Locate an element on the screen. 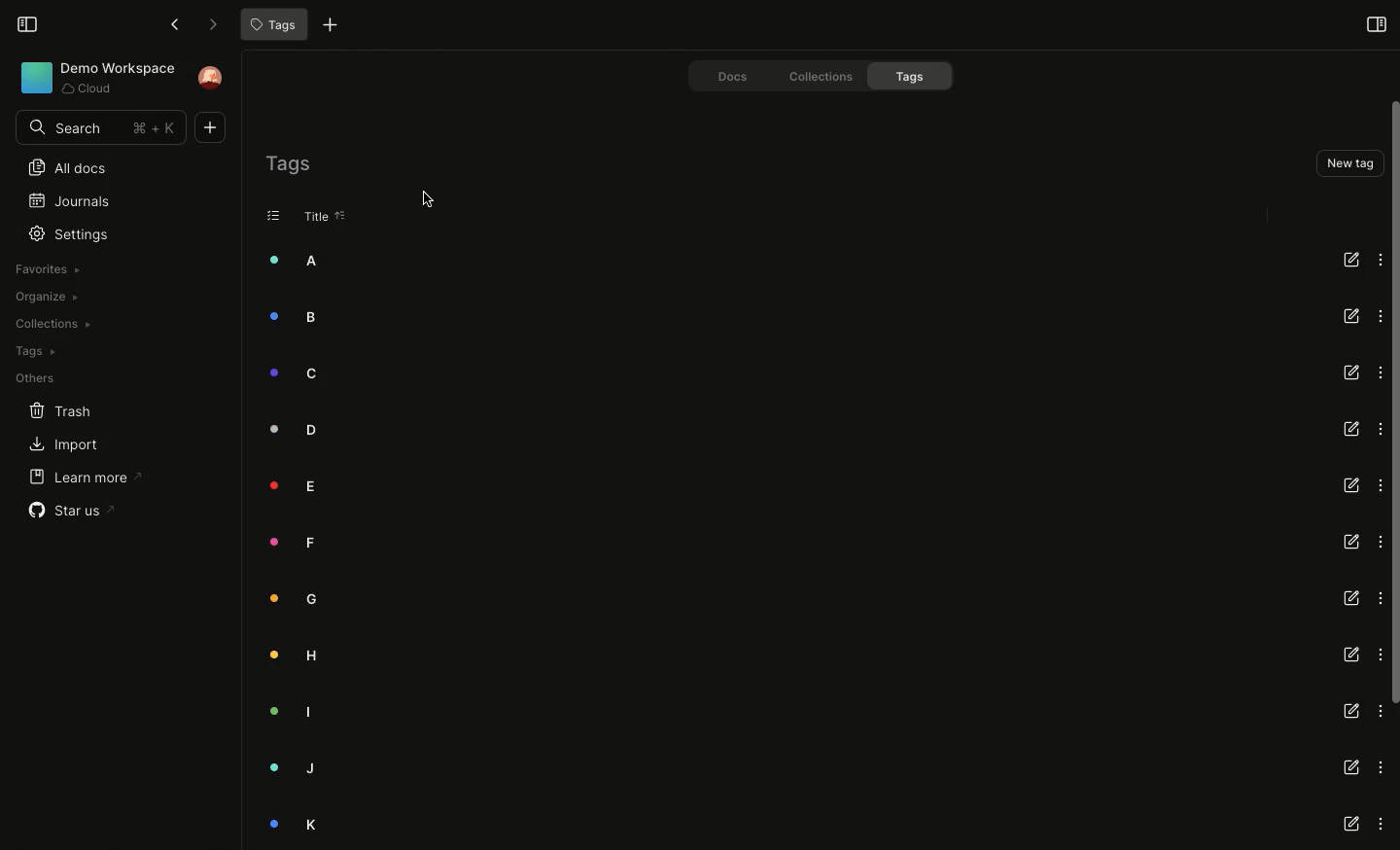 This screenshot has height=850, width=1400. Import is located at coordinates (55, 445).